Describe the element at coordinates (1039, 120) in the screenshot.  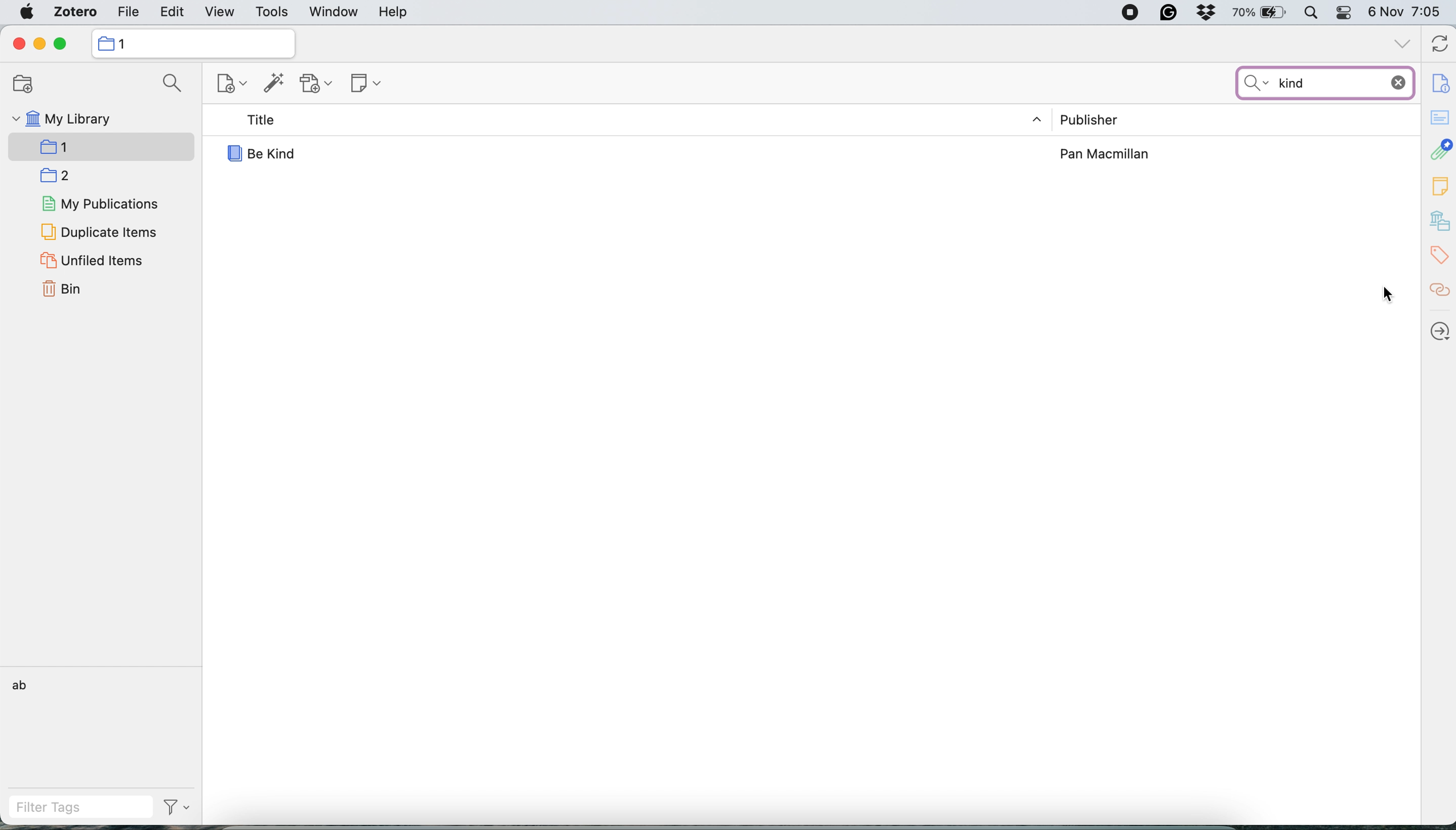
I see `expand/ collapse ` at that location.